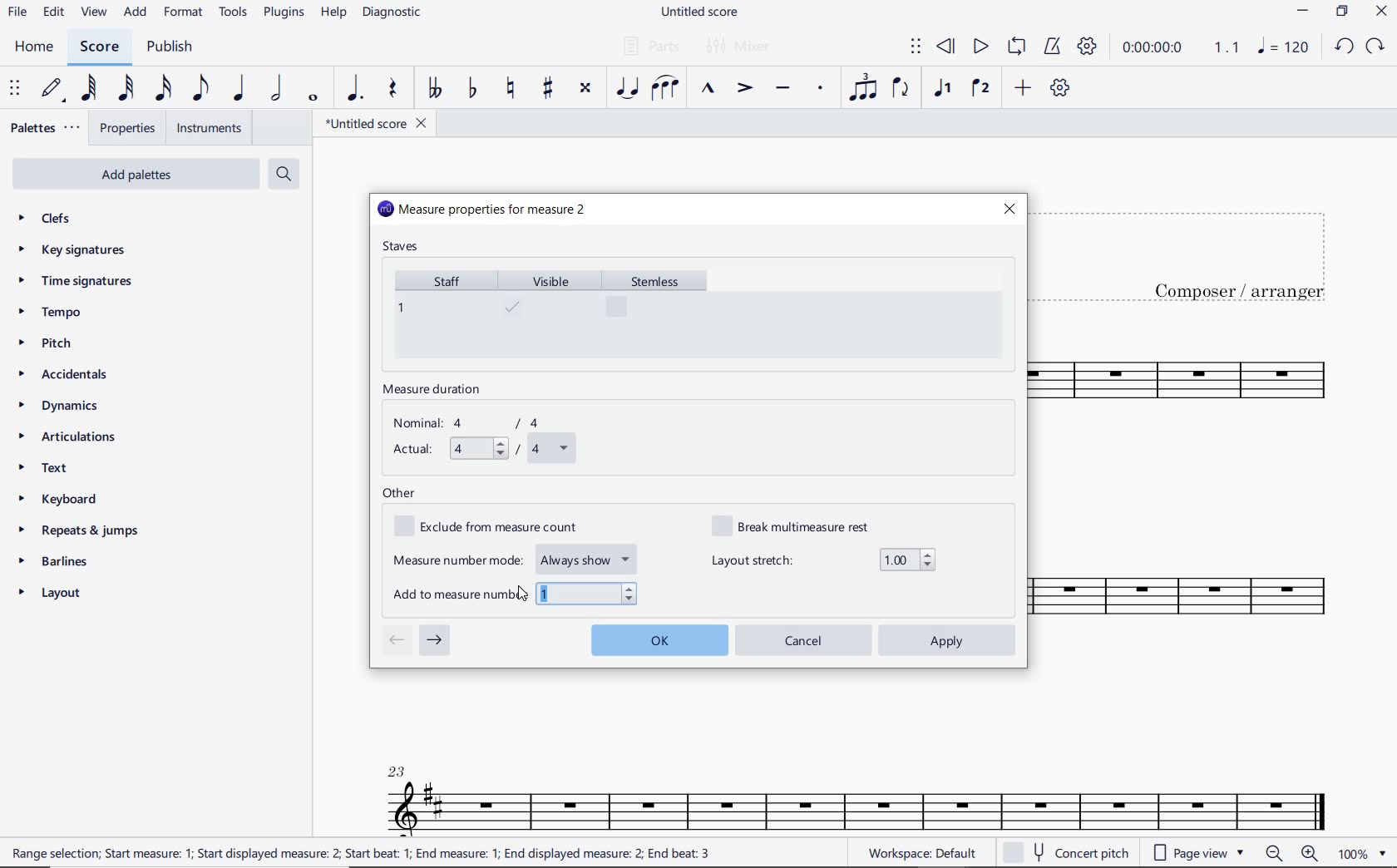 The width and height of the screenshot is (1397, 868). Describe the element at coordinates (33, 47) in the screenshot. I see `HOME` at that location.